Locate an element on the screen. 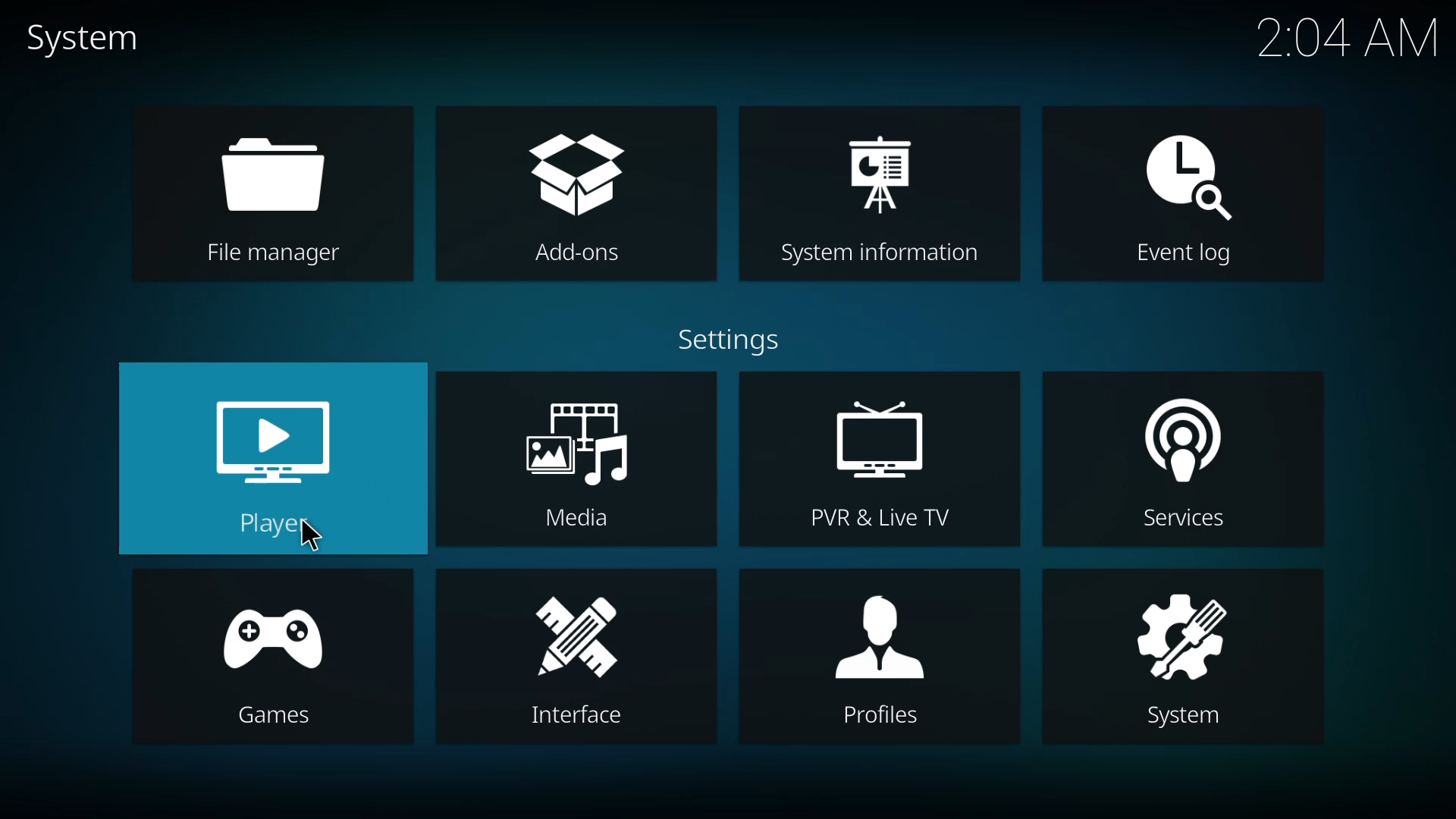 The height and width of the screenshot is (819, 1456). file manager is located at coordinates (275, 196).